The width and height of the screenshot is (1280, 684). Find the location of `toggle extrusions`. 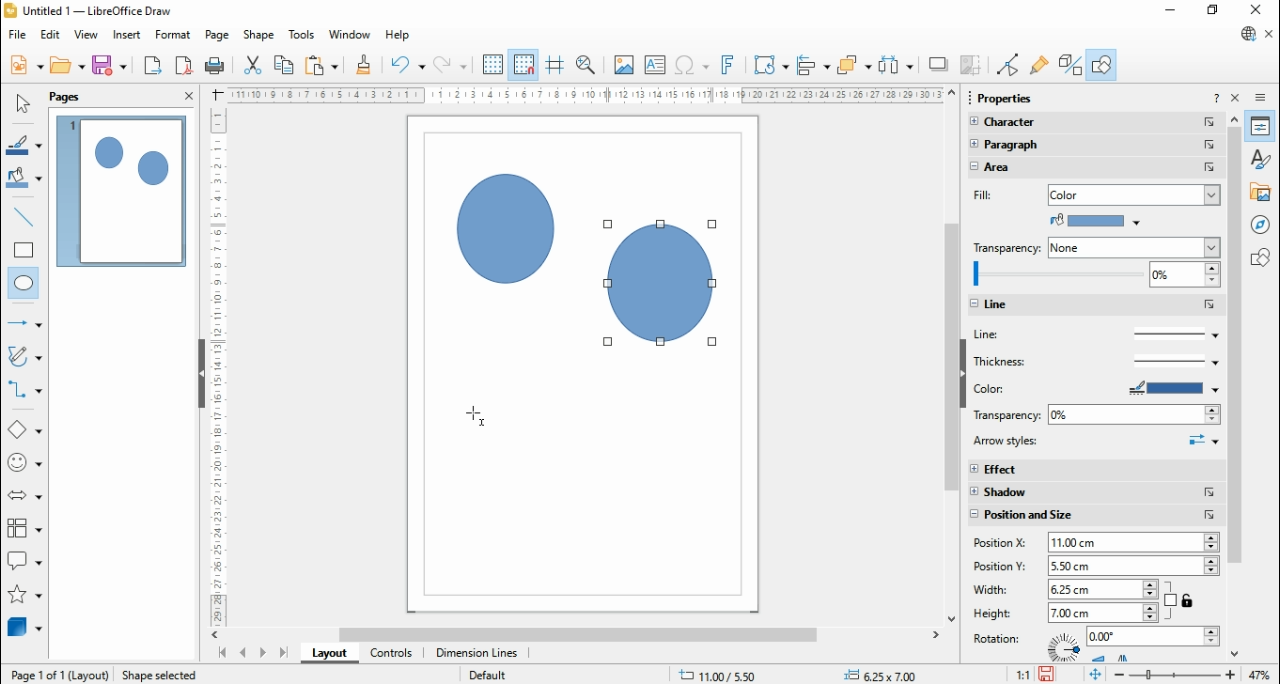

toggle extrusions is located at coordinates (1070, 64).